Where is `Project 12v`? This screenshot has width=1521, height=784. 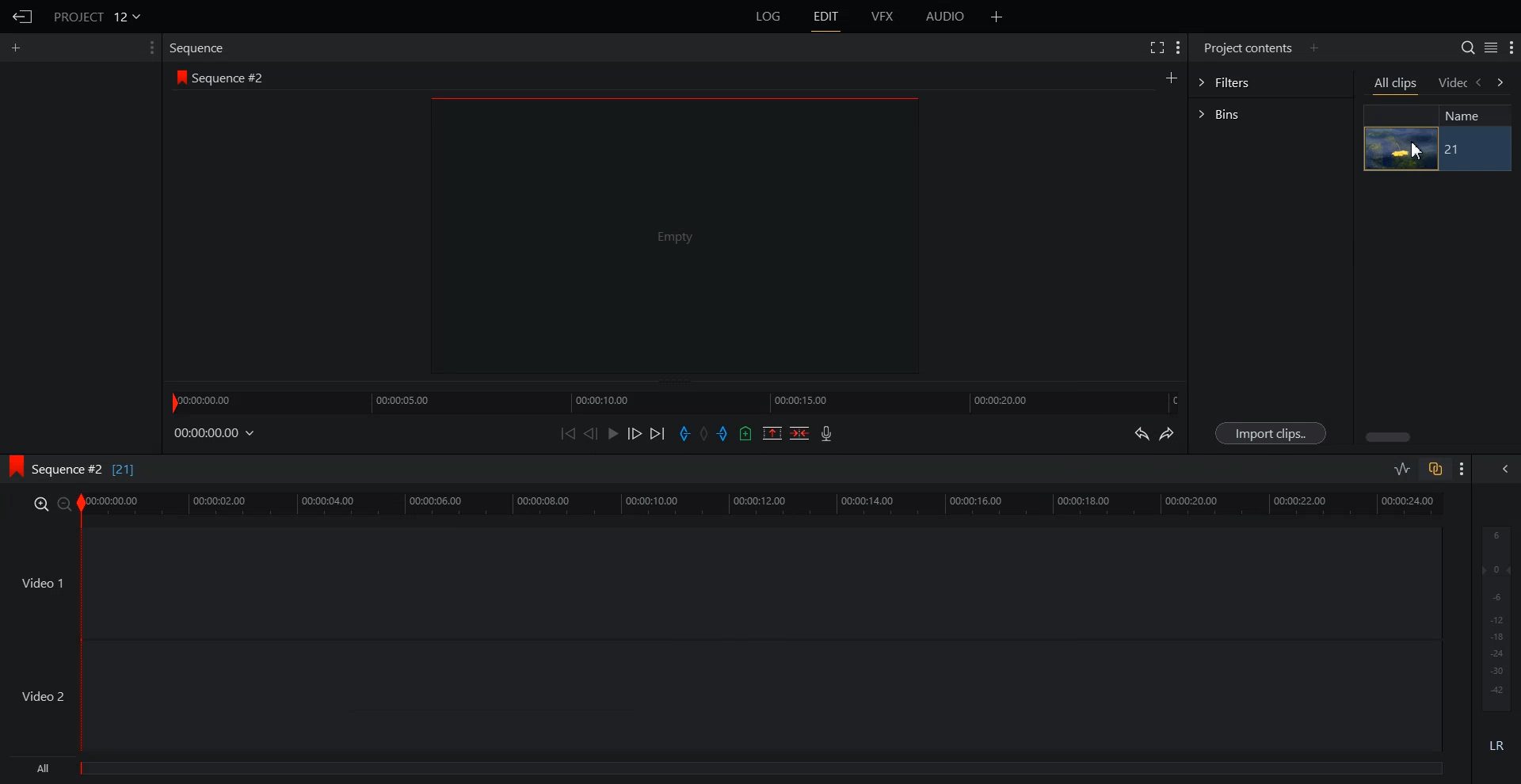 Project 12v is located at coordinates (97, 16).